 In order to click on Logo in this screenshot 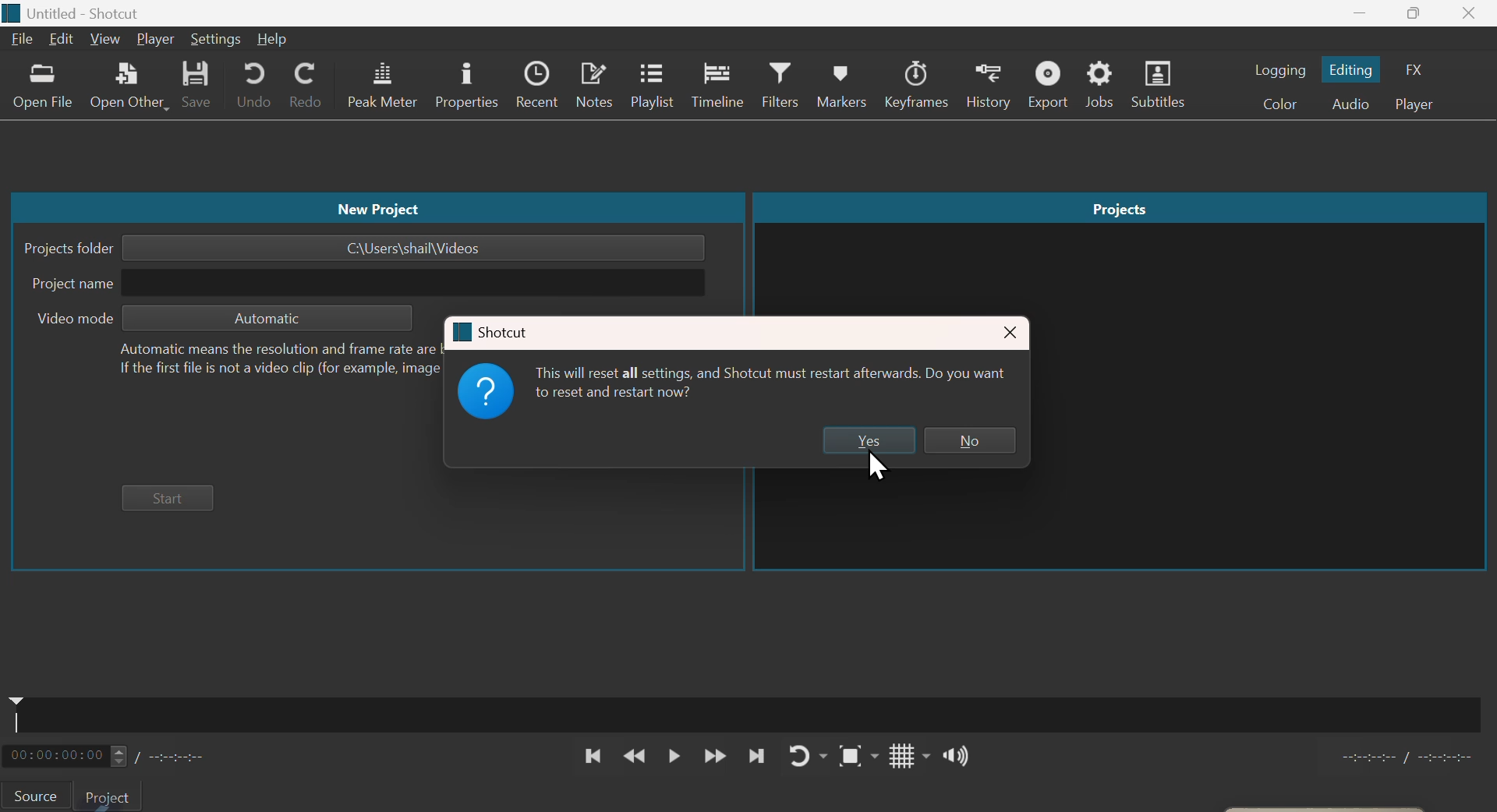, I will do `click(486, 390)`.